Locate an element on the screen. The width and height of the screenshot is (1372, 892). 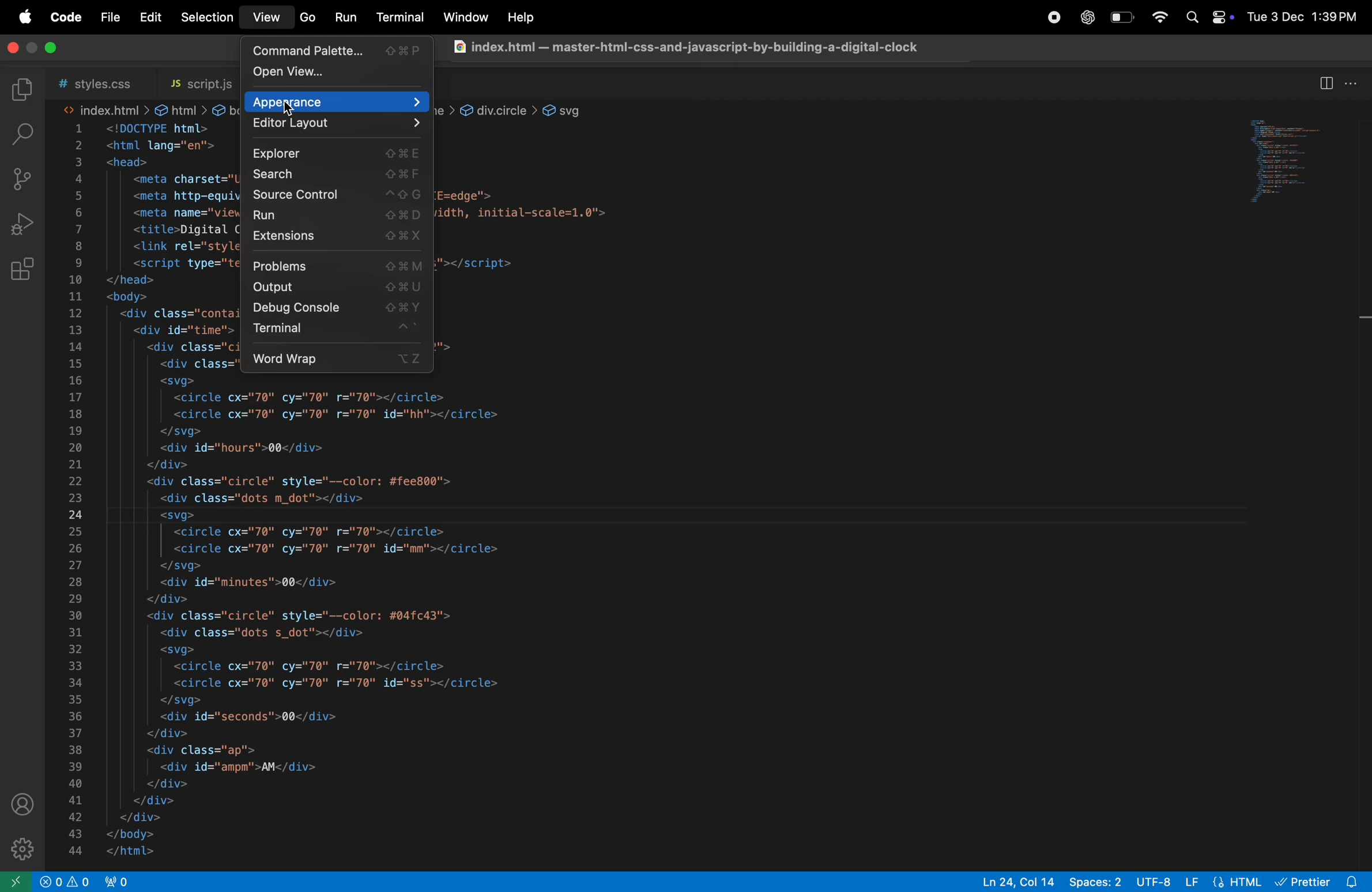
preview window is located at coordinates (1296, 167).